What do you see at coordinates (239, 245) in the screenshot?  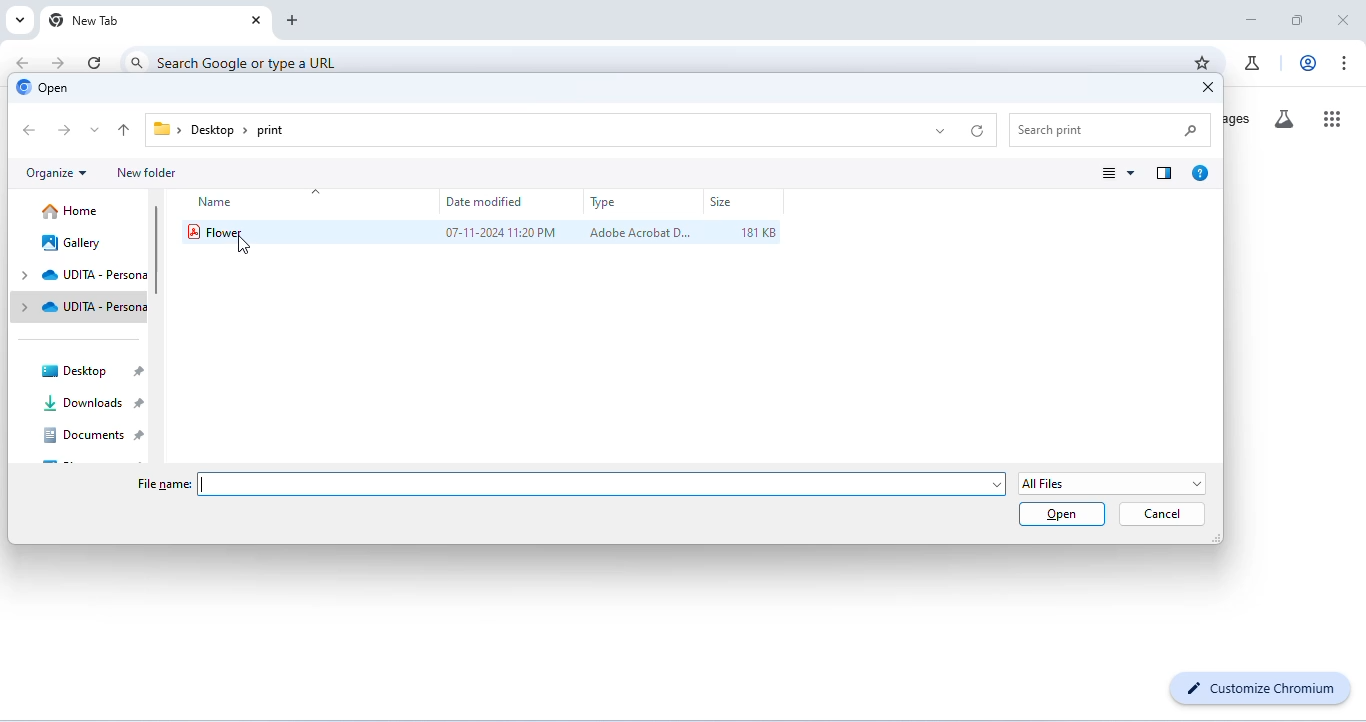 I see `cursor` at bounding box center [239, 245].